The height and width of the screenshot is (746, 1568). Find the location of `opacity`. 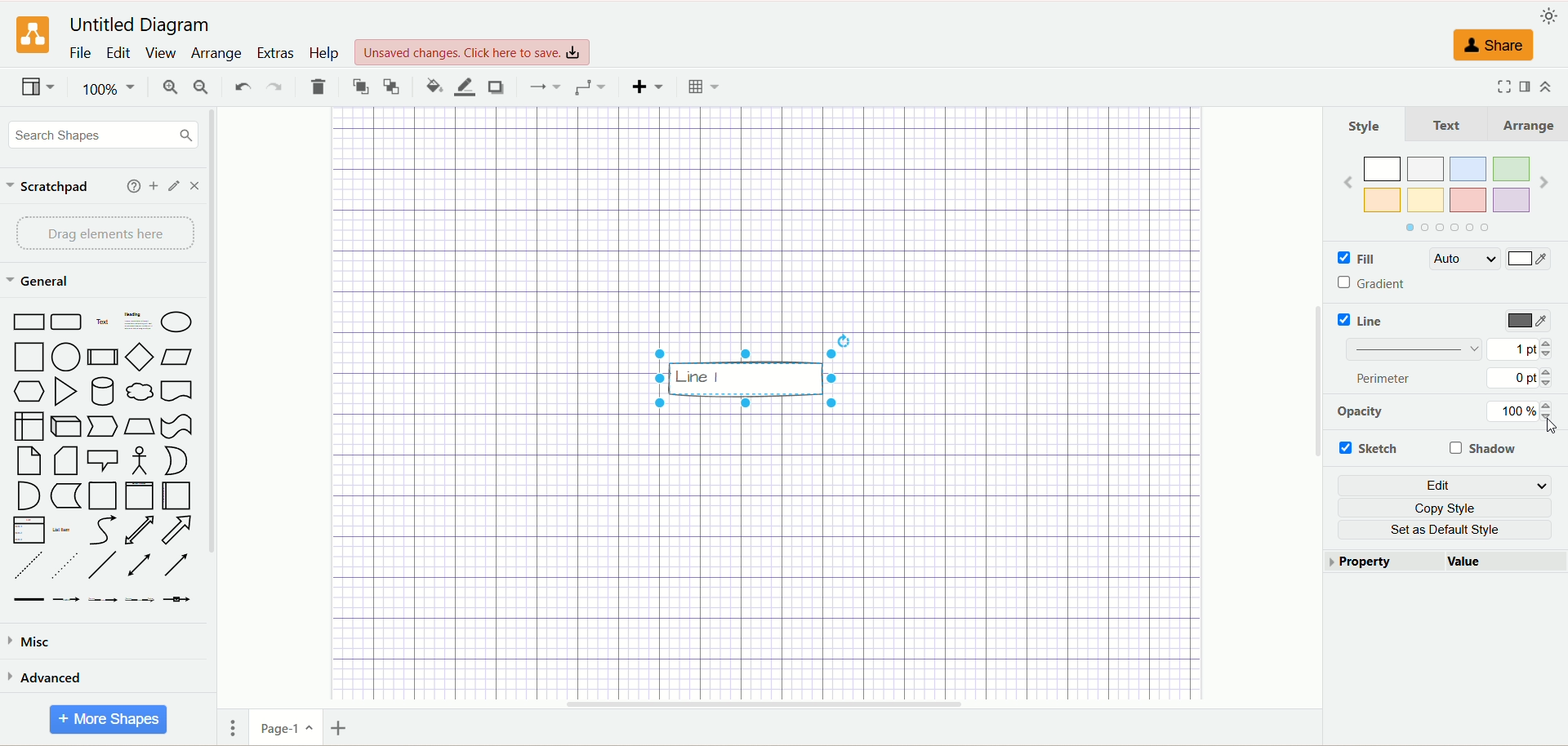

opacity is located at coordinates (1358, 413).